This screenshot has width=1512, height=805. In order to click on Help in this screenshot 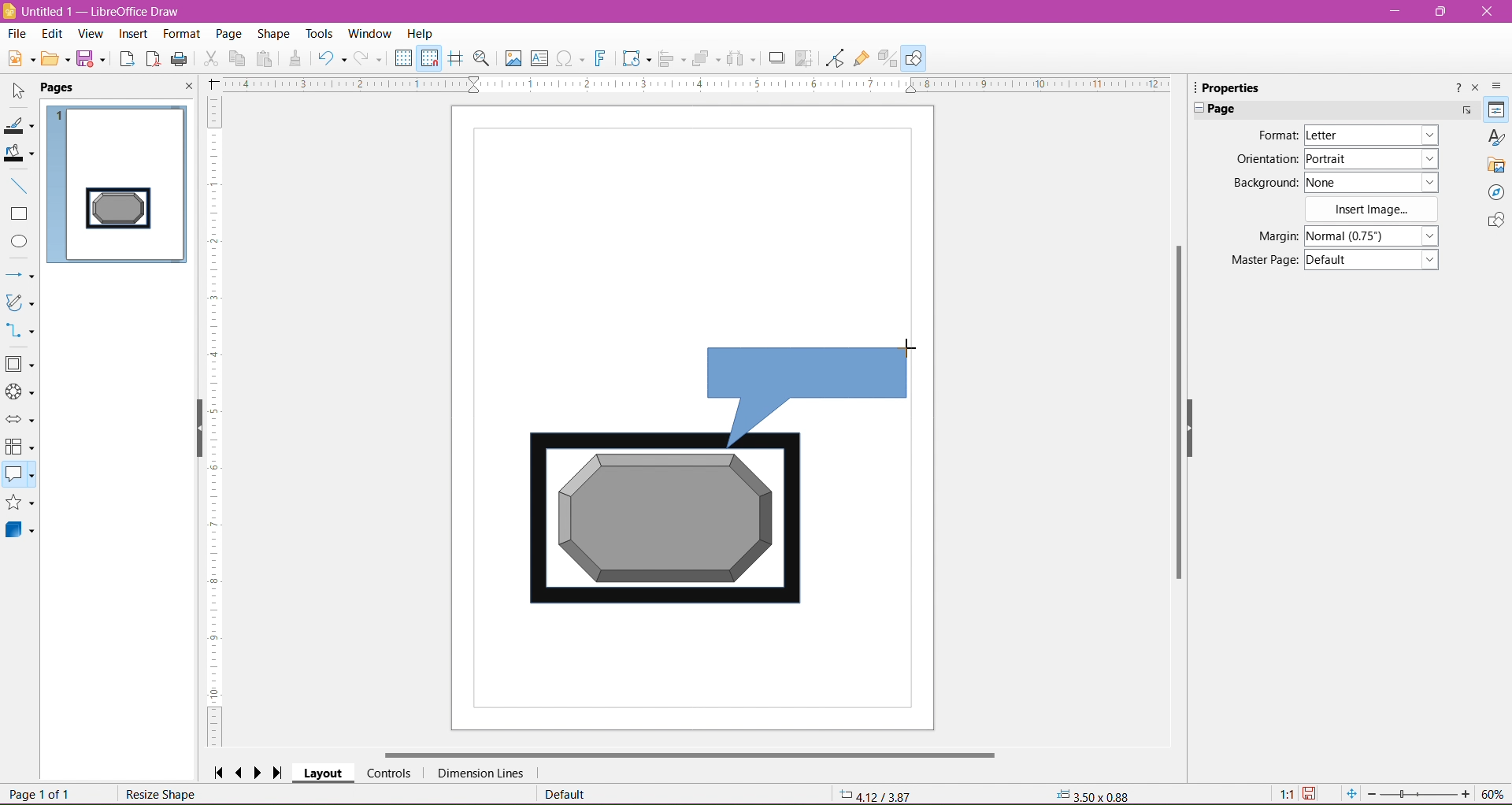, I will do `click(421, 33)`.